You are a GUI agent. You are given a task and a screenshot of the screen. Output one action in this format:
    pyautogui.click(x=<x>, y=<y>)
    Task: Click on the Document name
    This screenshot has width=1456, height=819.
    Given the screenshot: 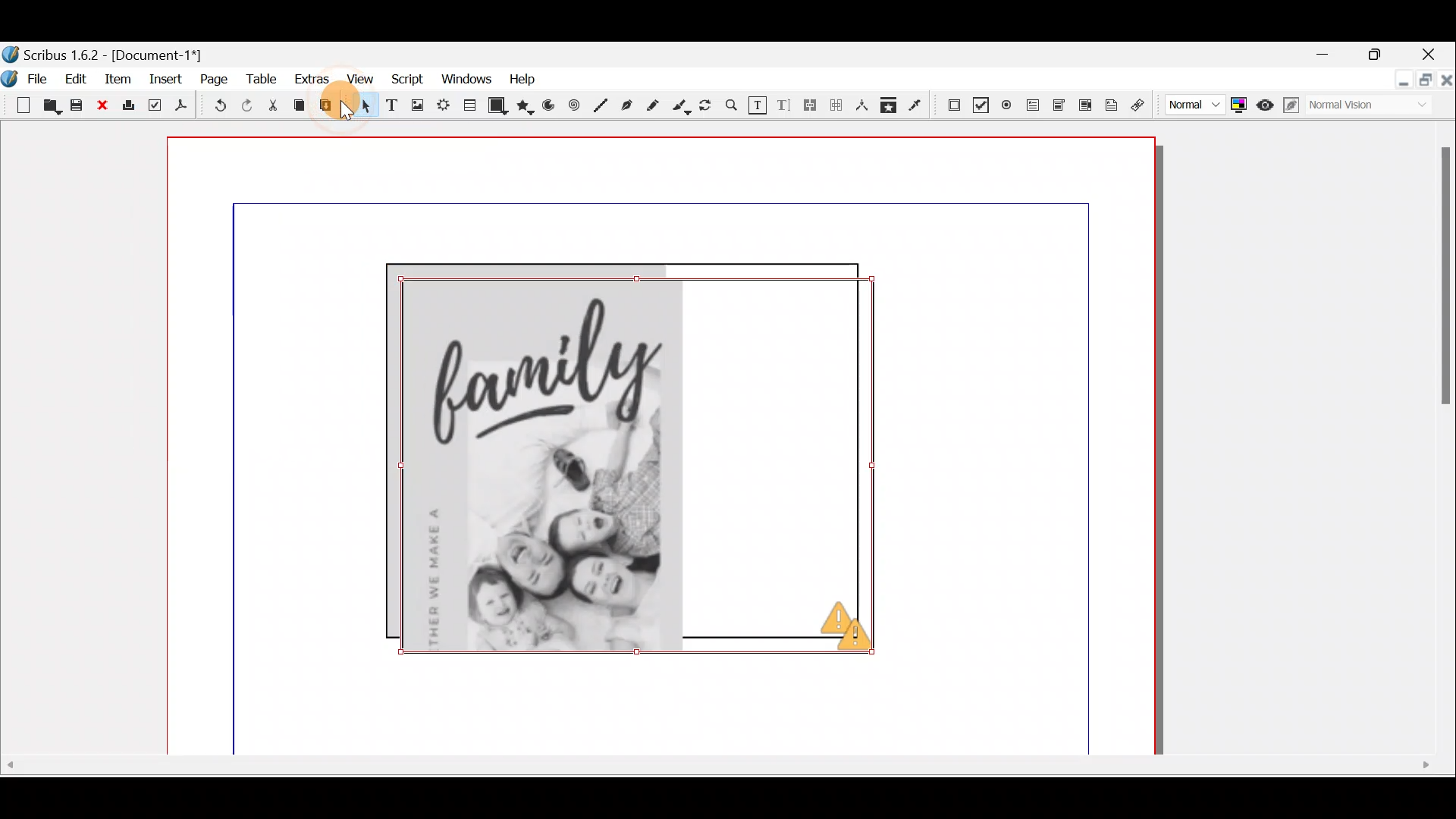 What is the action you would take?
    pyautogui.click(x=118, y=52)
    